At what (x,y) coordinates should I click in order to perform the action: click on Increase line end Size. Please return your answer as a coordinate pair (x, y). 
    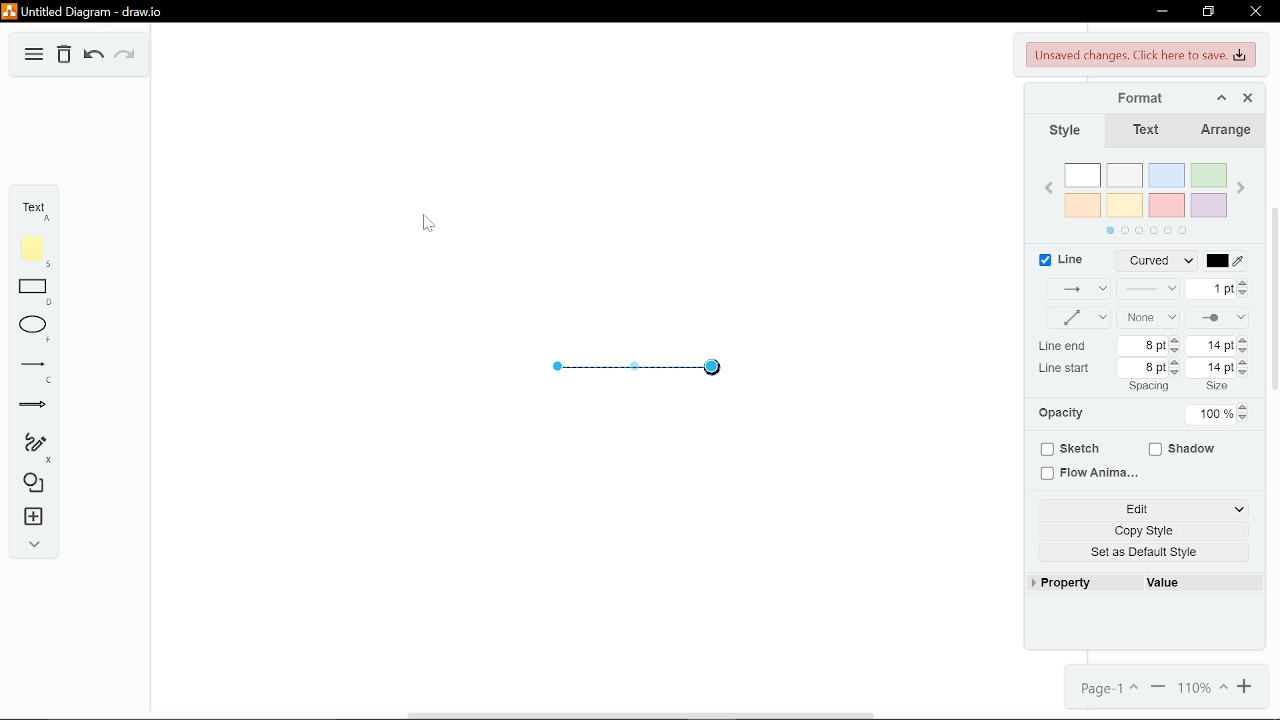
    Looking at the image, I should click on (1244, 340).